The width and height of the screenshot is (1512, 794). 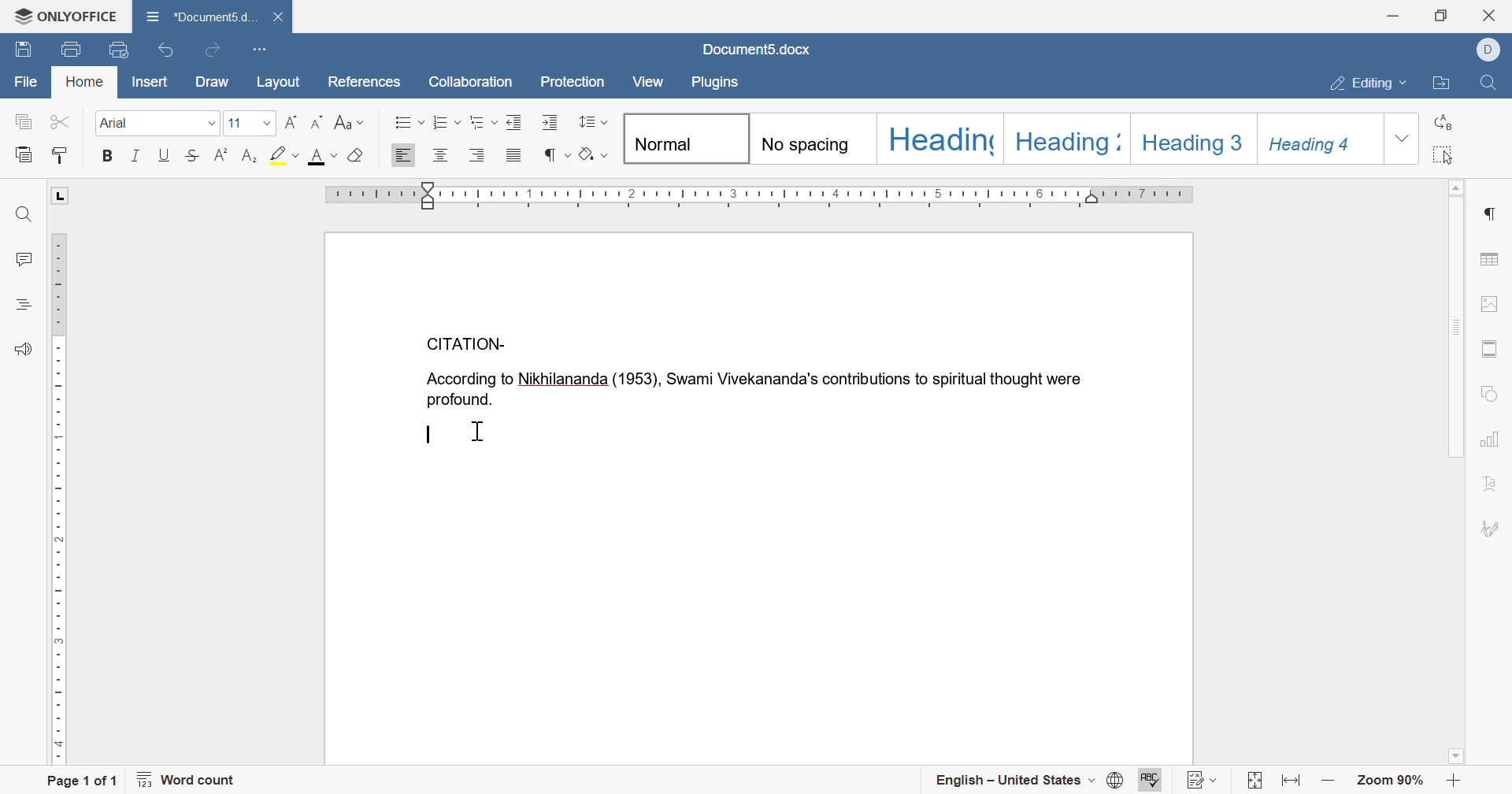 What do you see at coordinates (1492, 14) in the screenshot?
I see `close` at bounding box center [1492, 14].